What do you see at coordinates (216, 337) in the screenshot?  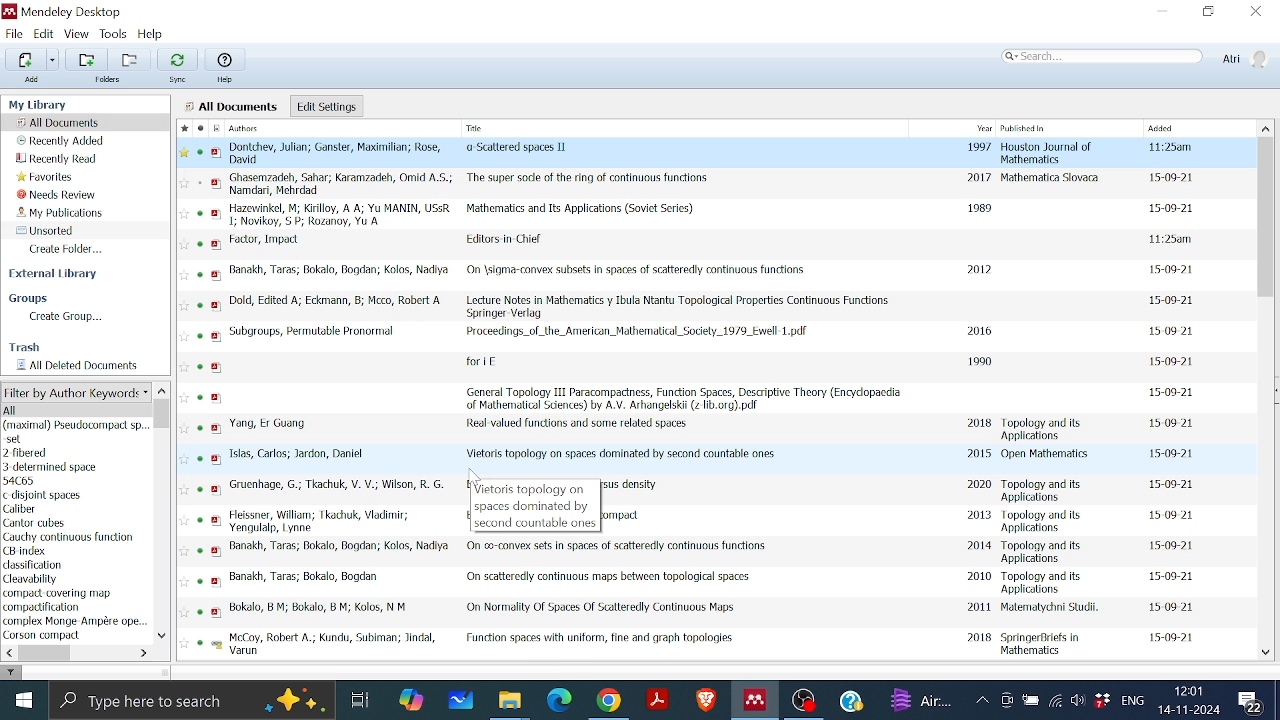 I see `pdf` at bounding box center [216, 337].